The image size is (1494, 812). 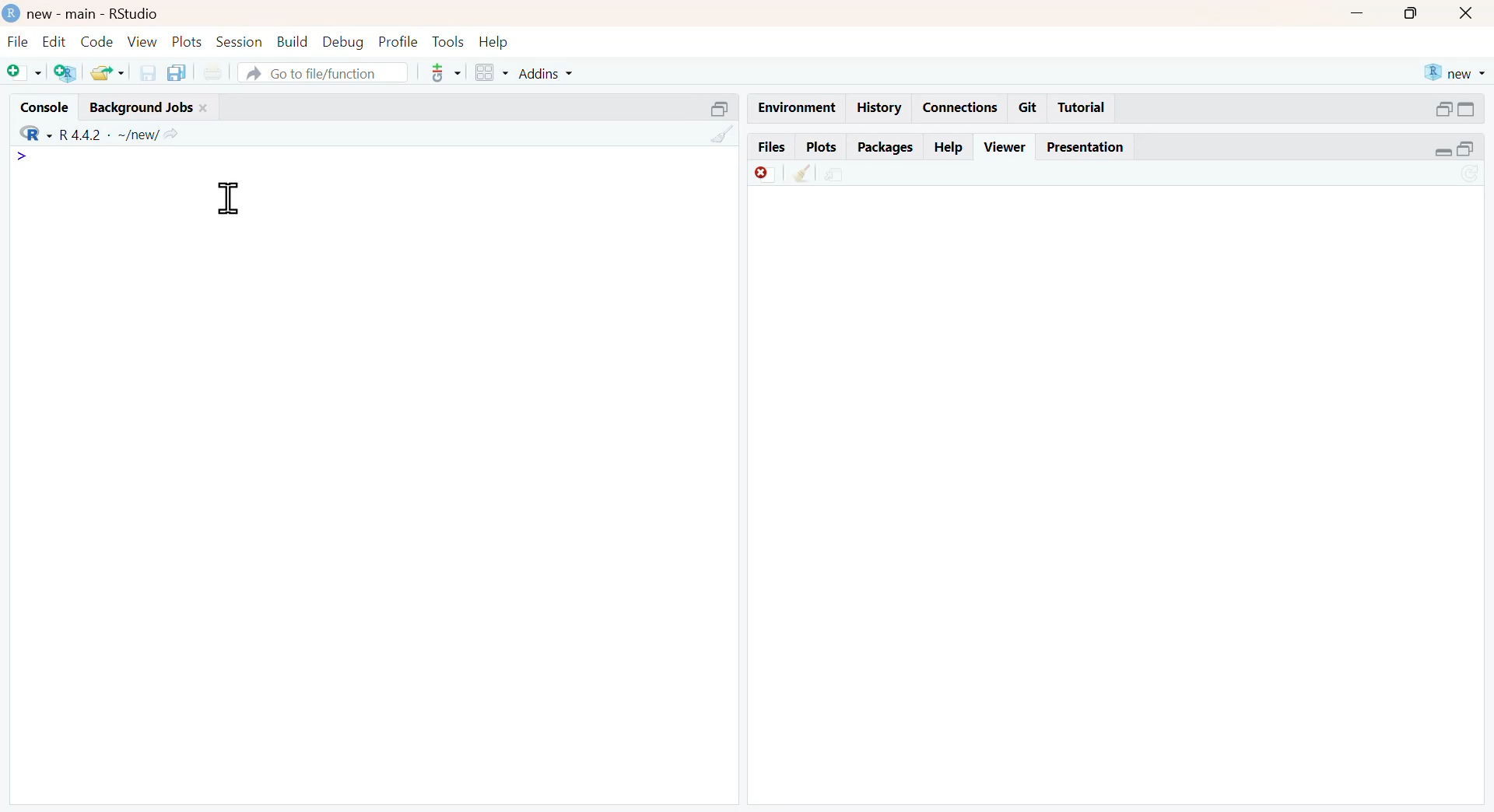 I want to click on connections, so click(x=962, y=108).